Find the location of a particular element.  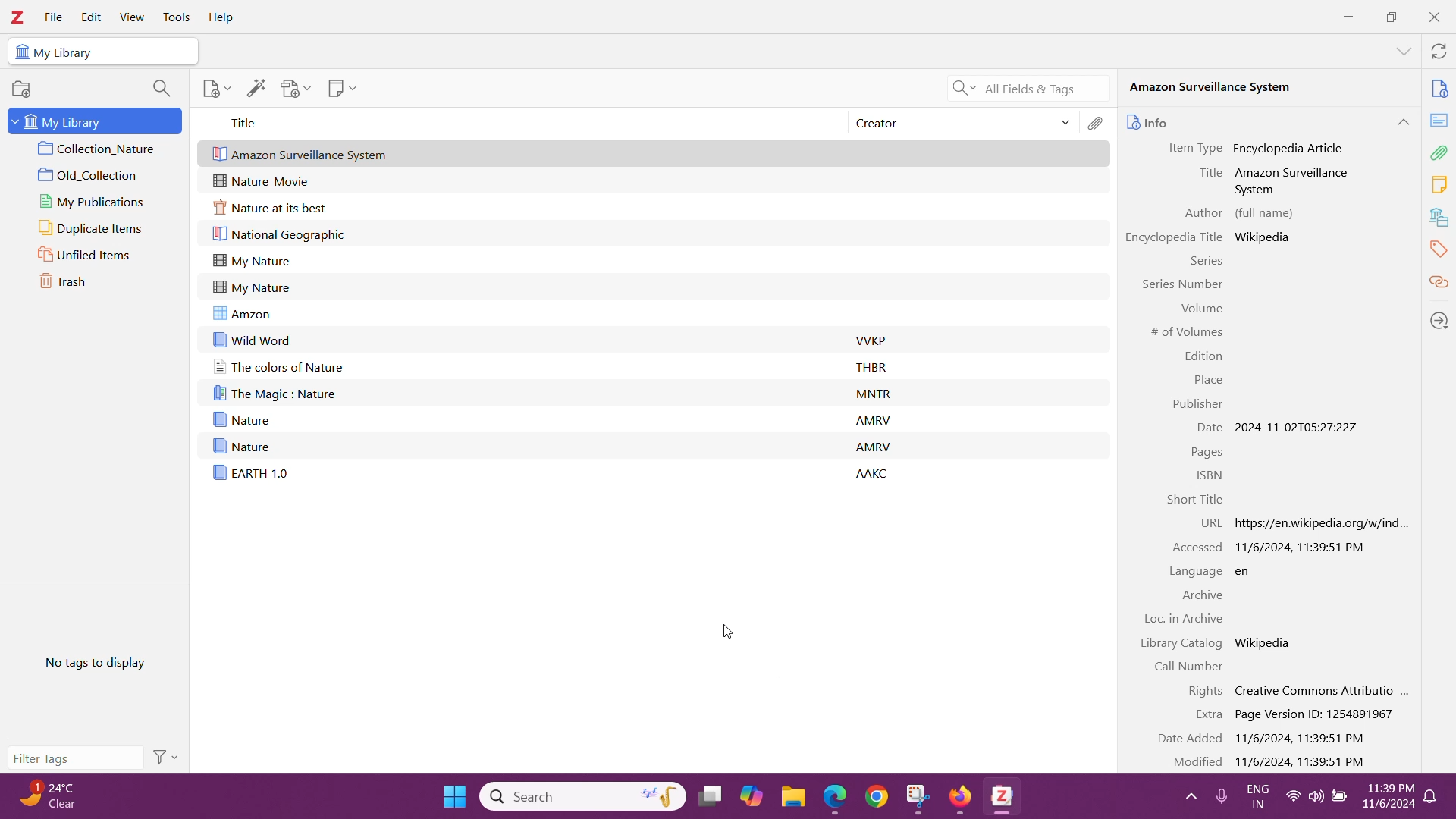

Accessed Date and Time is located at coordinates (1299, 549).